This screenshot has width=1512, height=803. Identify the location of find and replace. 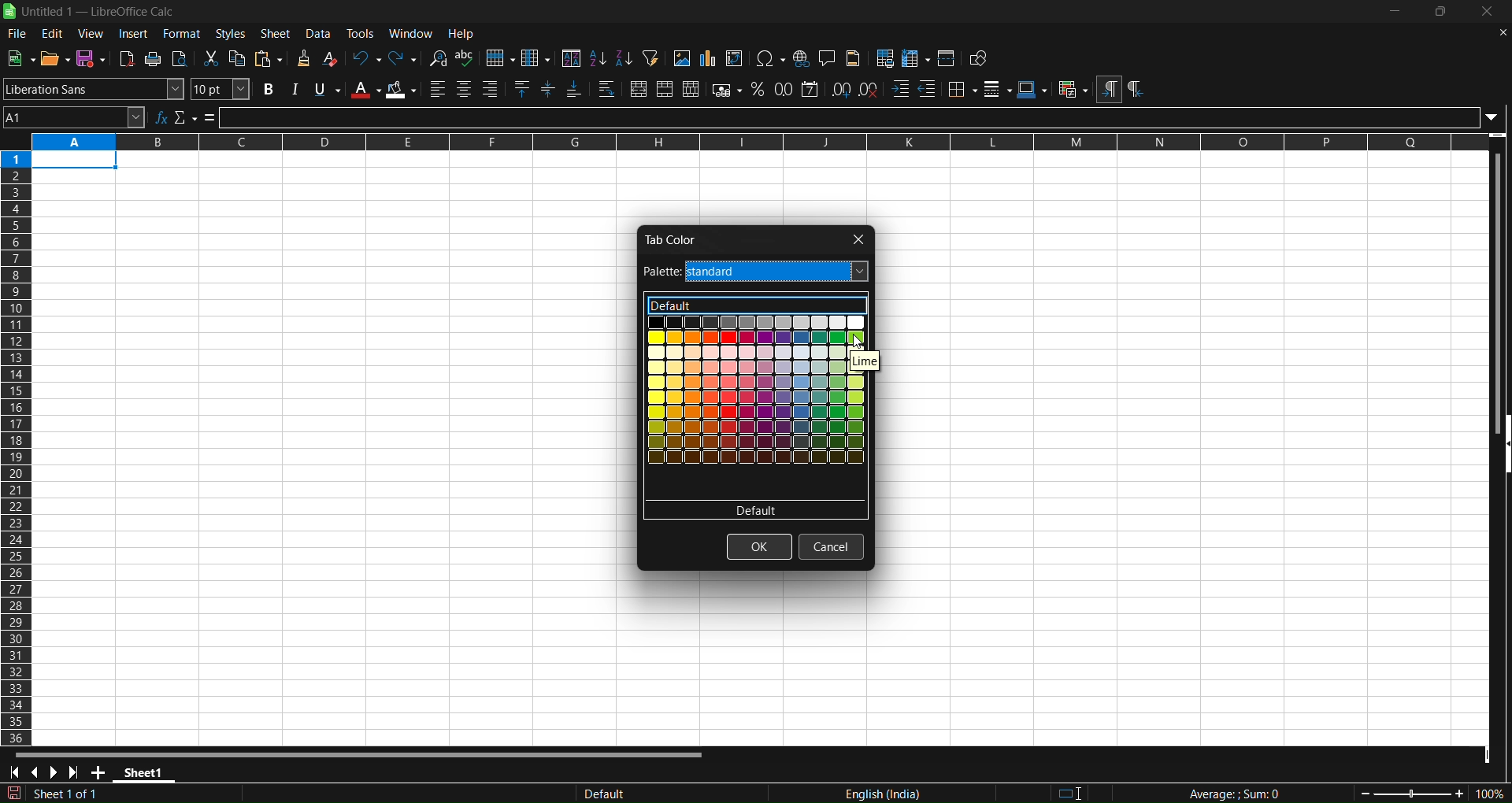
(437, 57).